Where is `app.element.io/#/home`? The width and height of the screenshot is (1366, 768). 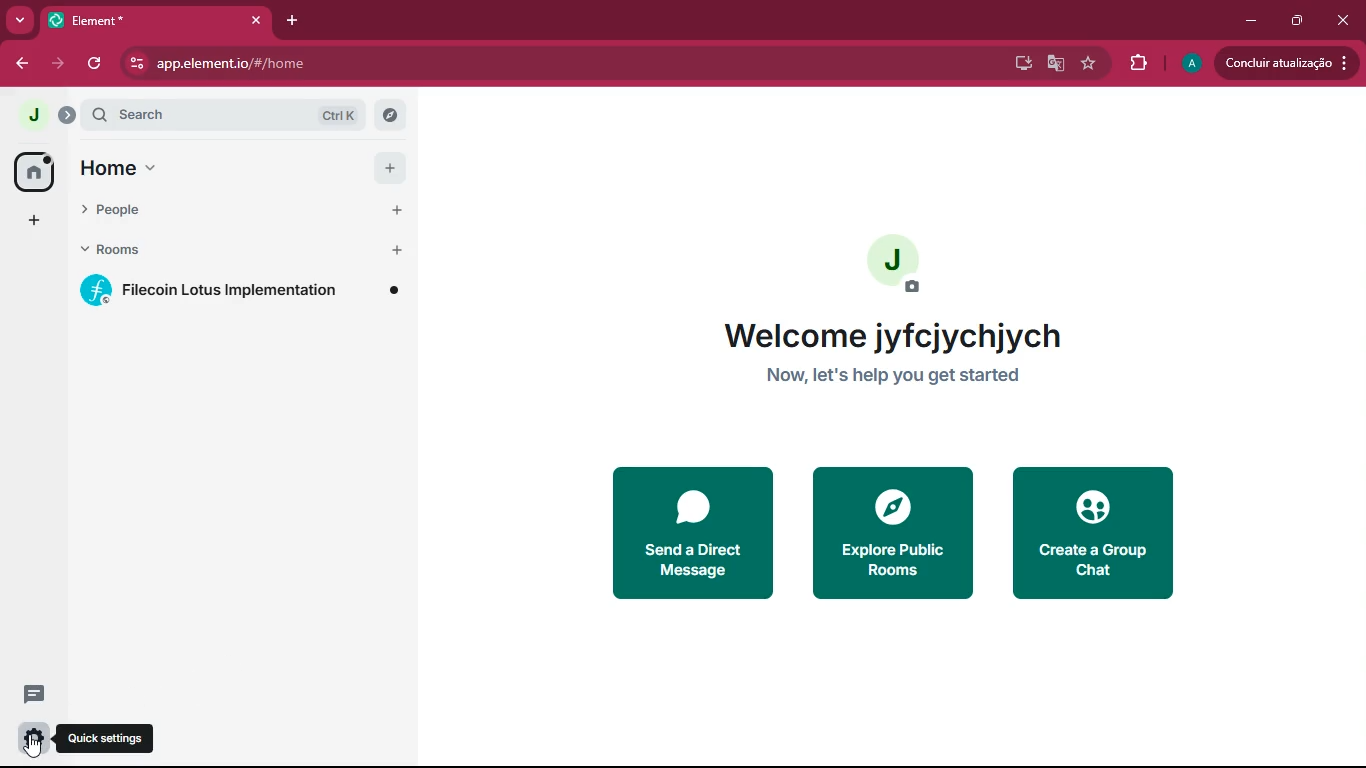 app.element.io/#/home is located at coordinates (390, 64).